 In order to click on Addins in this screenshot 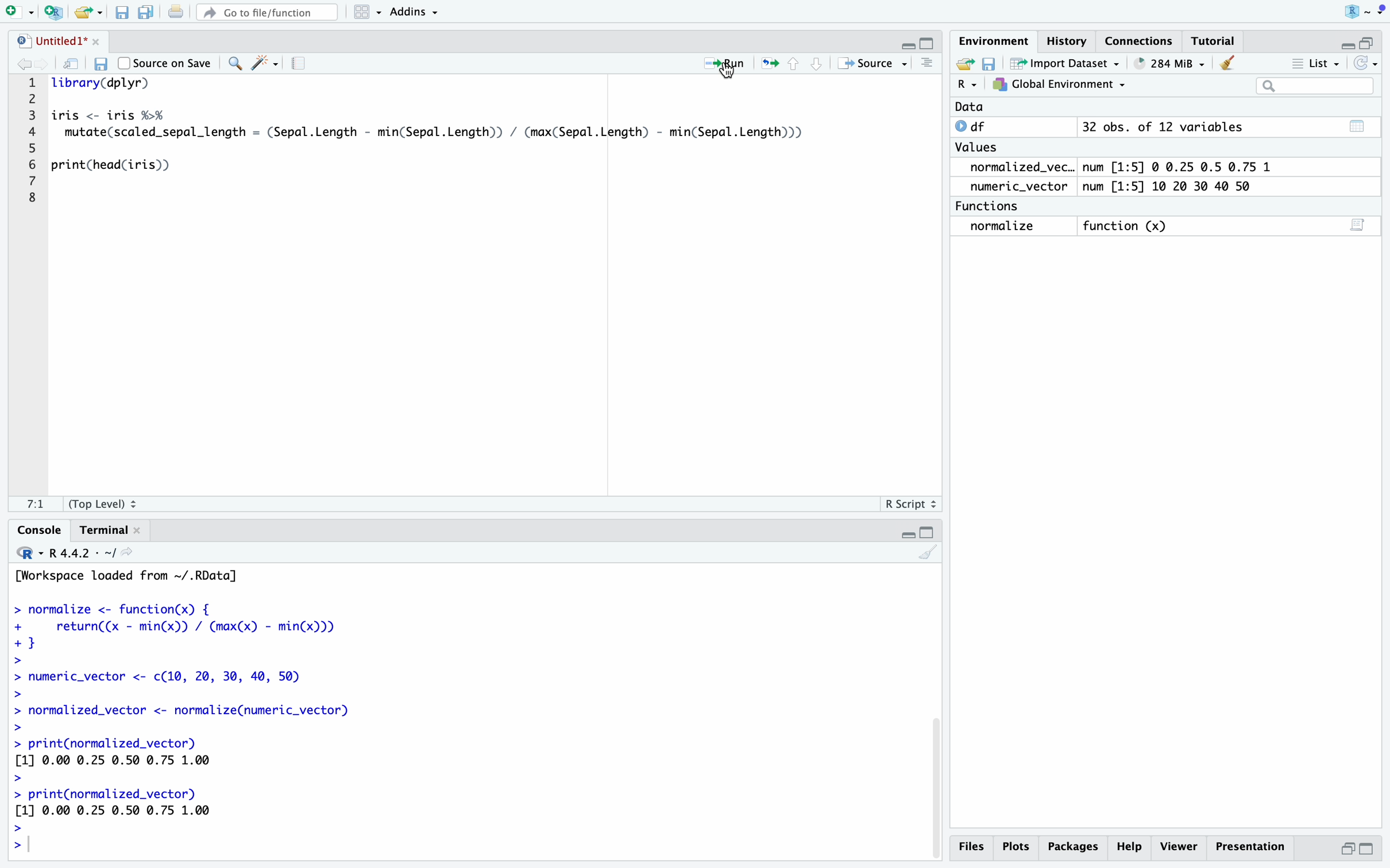, I will do `click(415, 11)`.